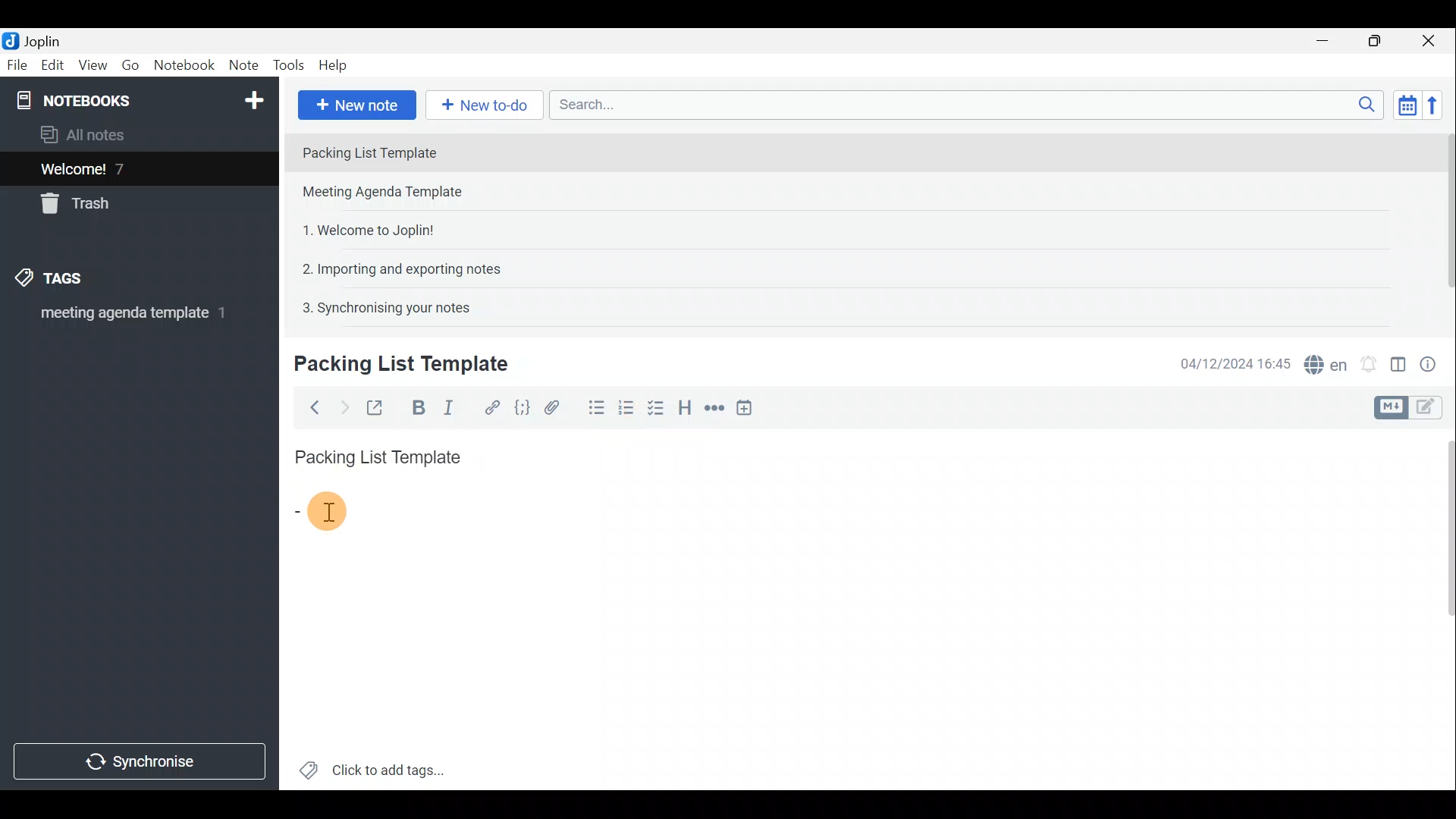  I want to click on Note 1, so click(424, 151).